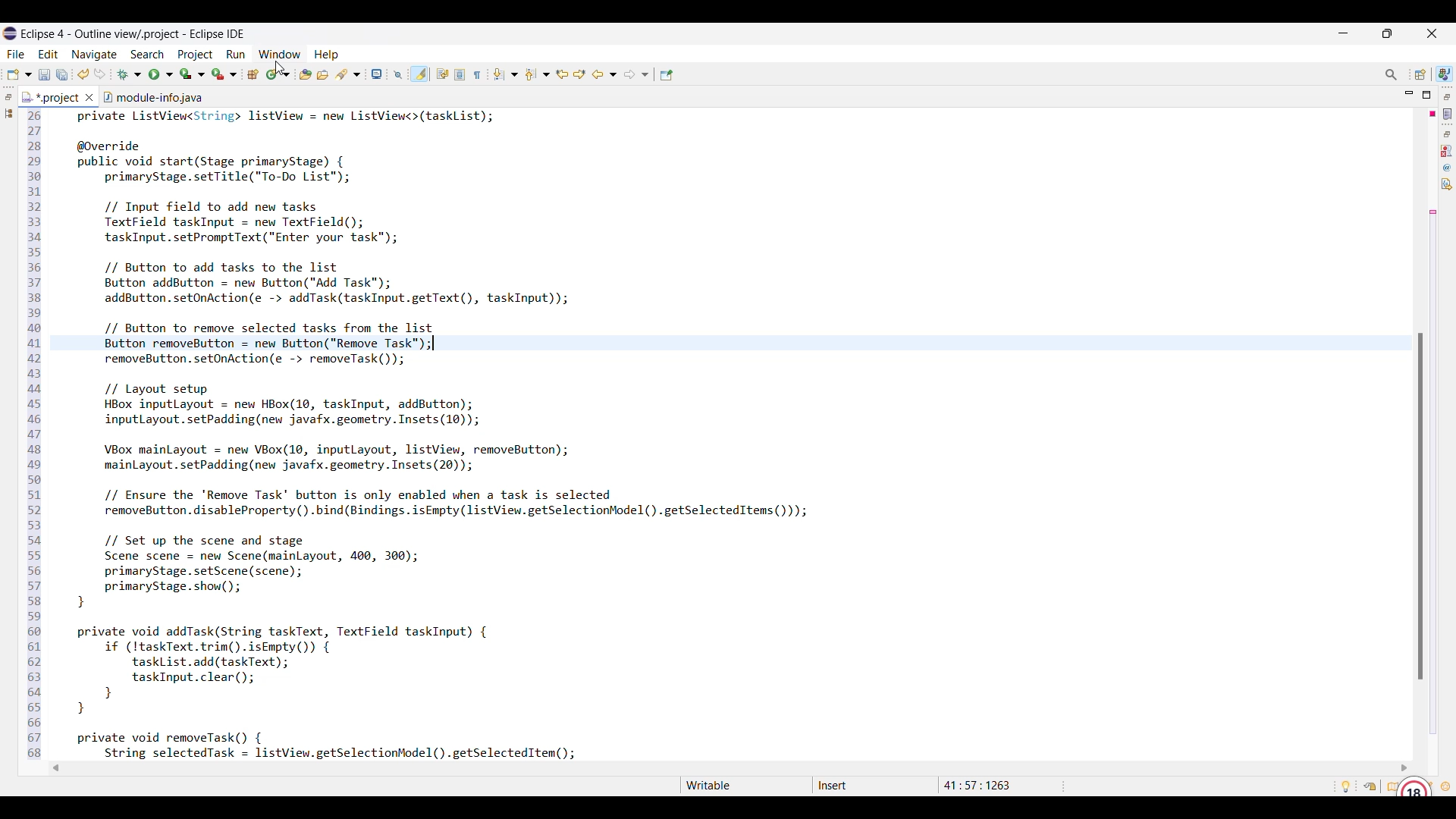 This screenshot has height=819, width=1456. I want to click on Package explorer, so click(8, 113).